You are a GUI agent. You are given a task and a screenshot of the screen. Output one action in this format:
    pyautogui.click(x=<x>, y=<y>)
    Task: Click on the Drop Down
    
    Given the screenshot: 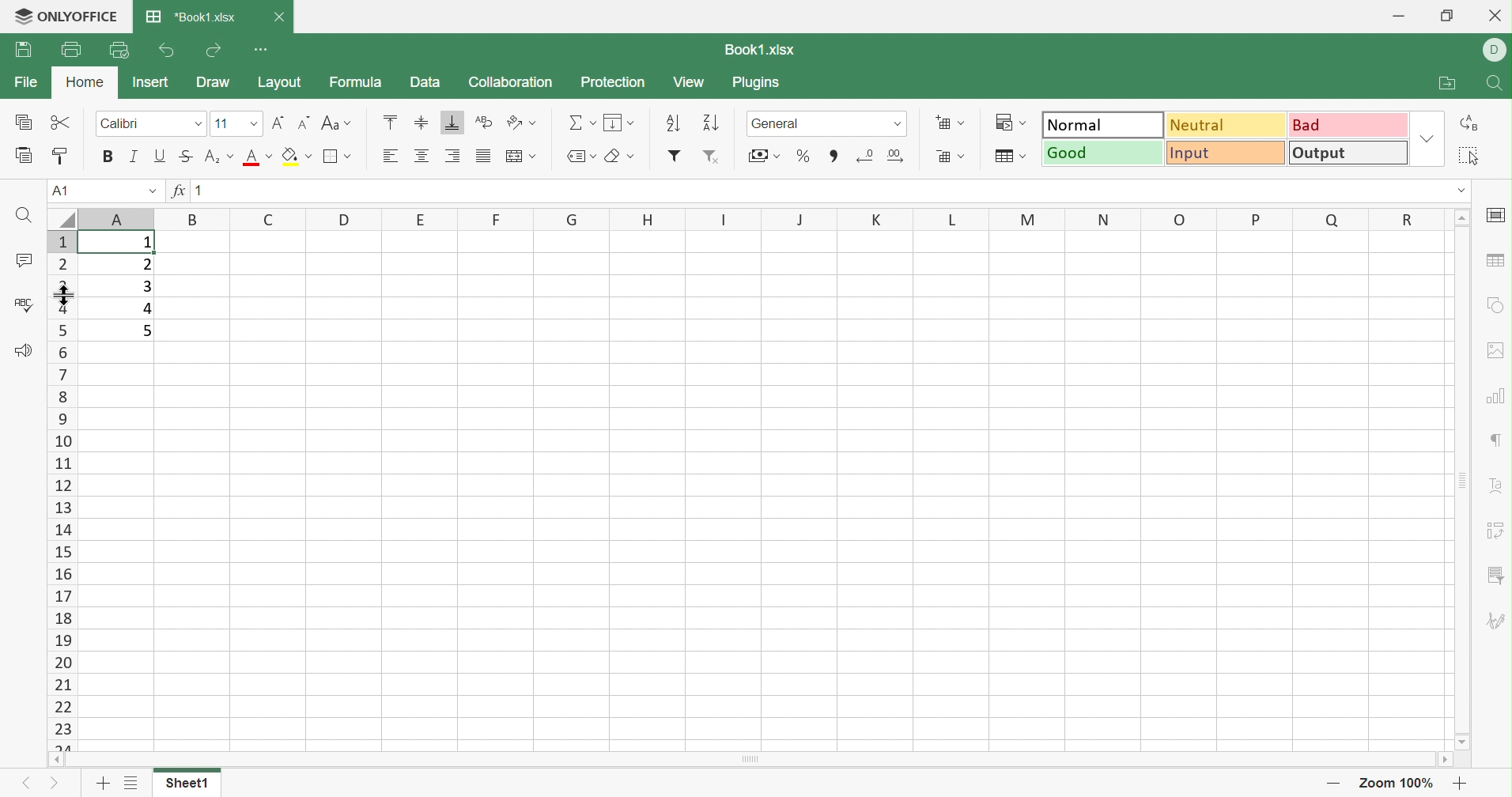 What is the action you would take?
    pyautogui.click(x=633, y=123)
    